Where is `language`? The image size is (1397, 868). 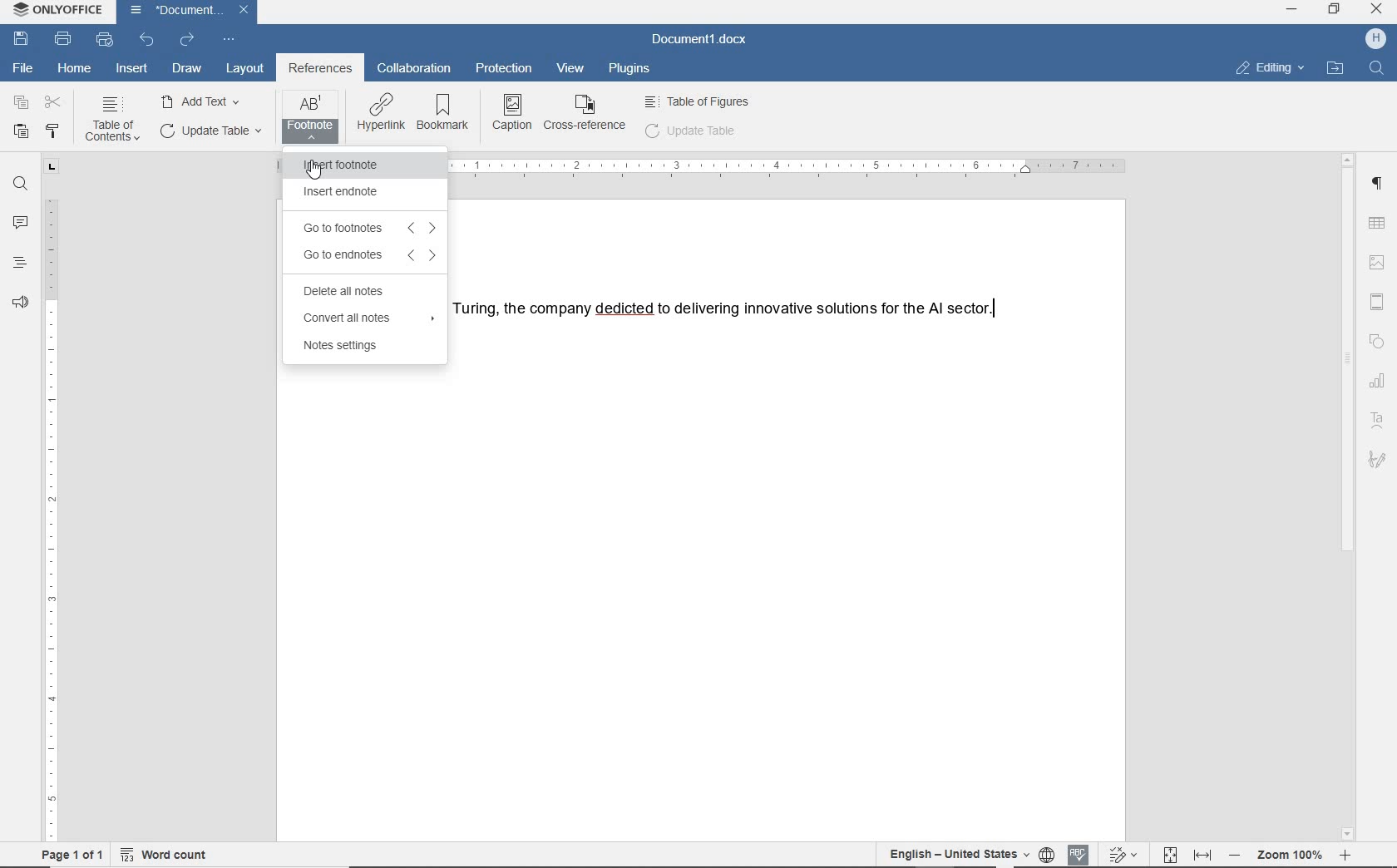 language is located at coordinates (1048, 855).